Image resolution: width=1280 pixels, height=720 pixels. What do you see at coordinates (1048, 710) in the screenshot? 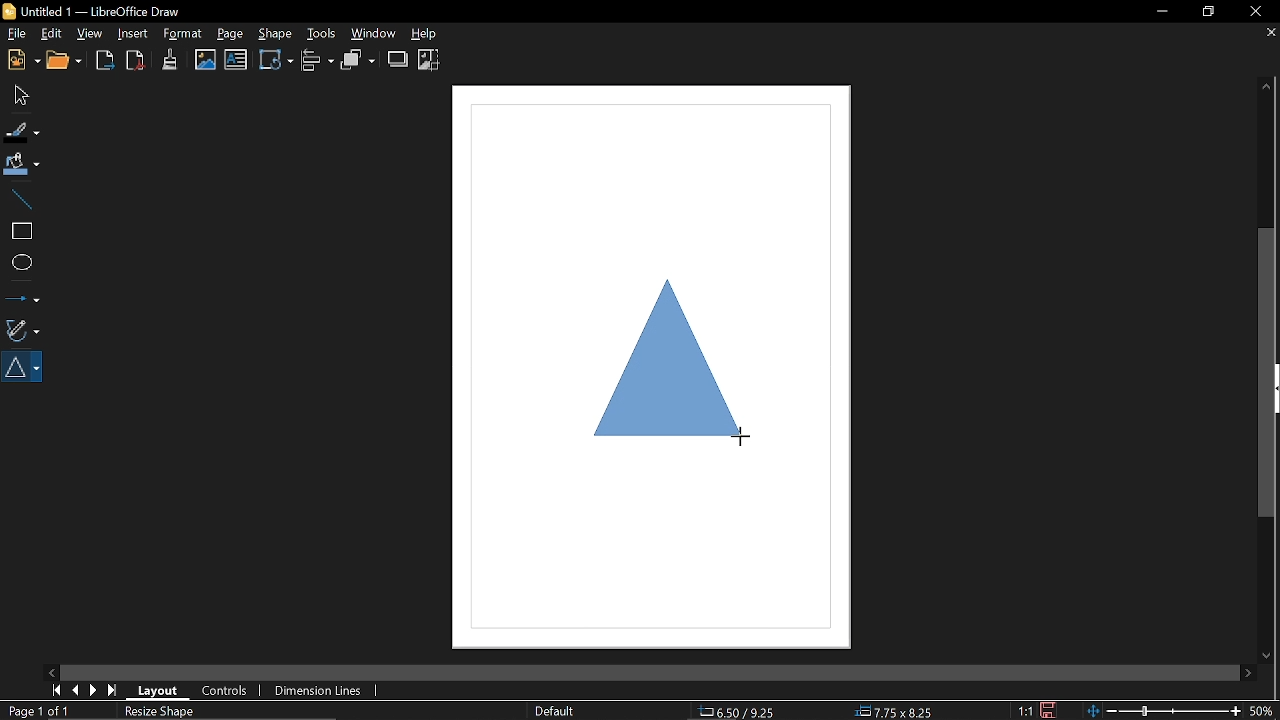
I see `Save` at bounding box center [1048, 710].